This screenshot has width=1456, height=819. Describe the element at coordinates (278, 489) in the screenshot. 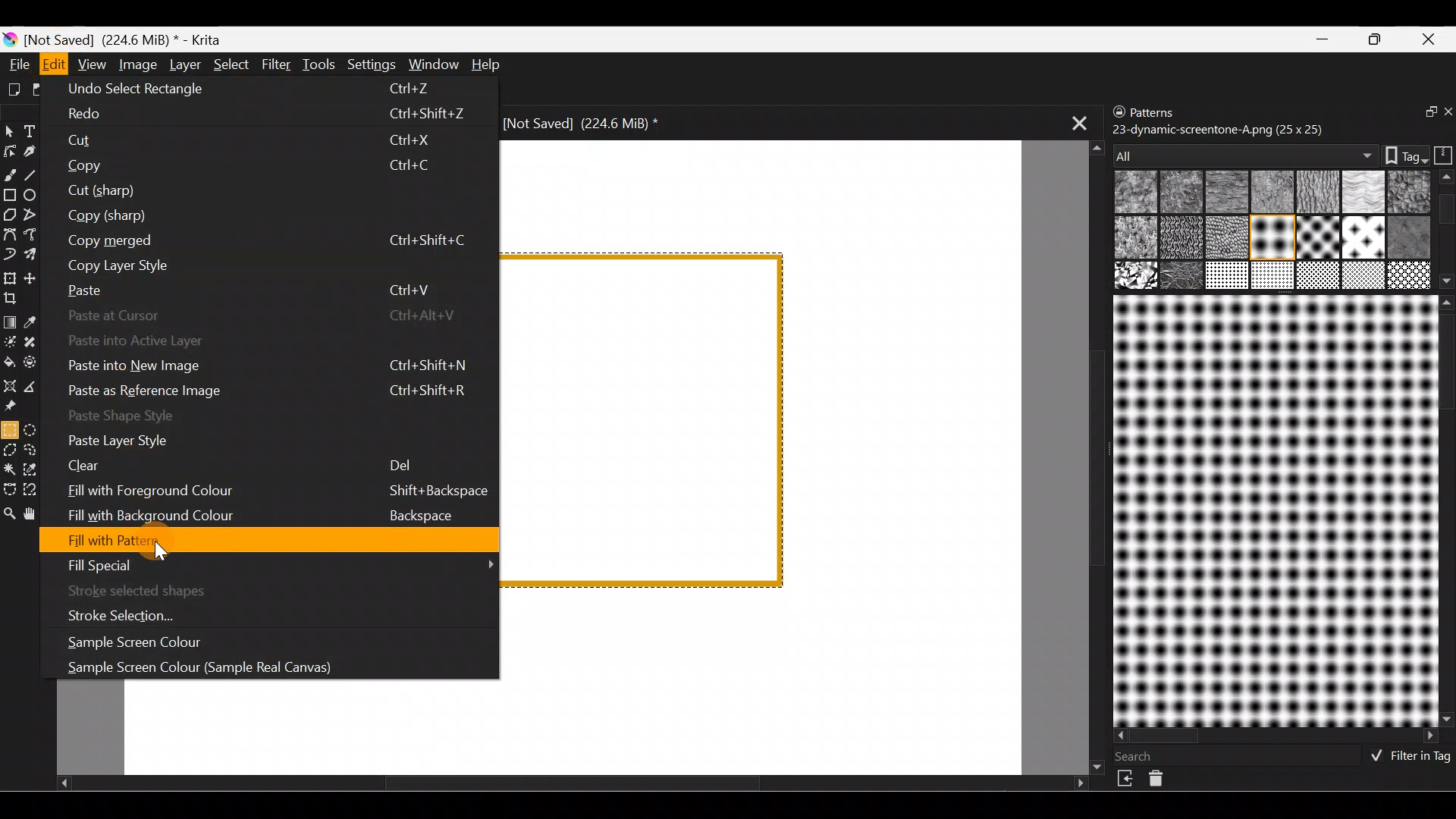

I see `Fill with foreground colour` at that location.